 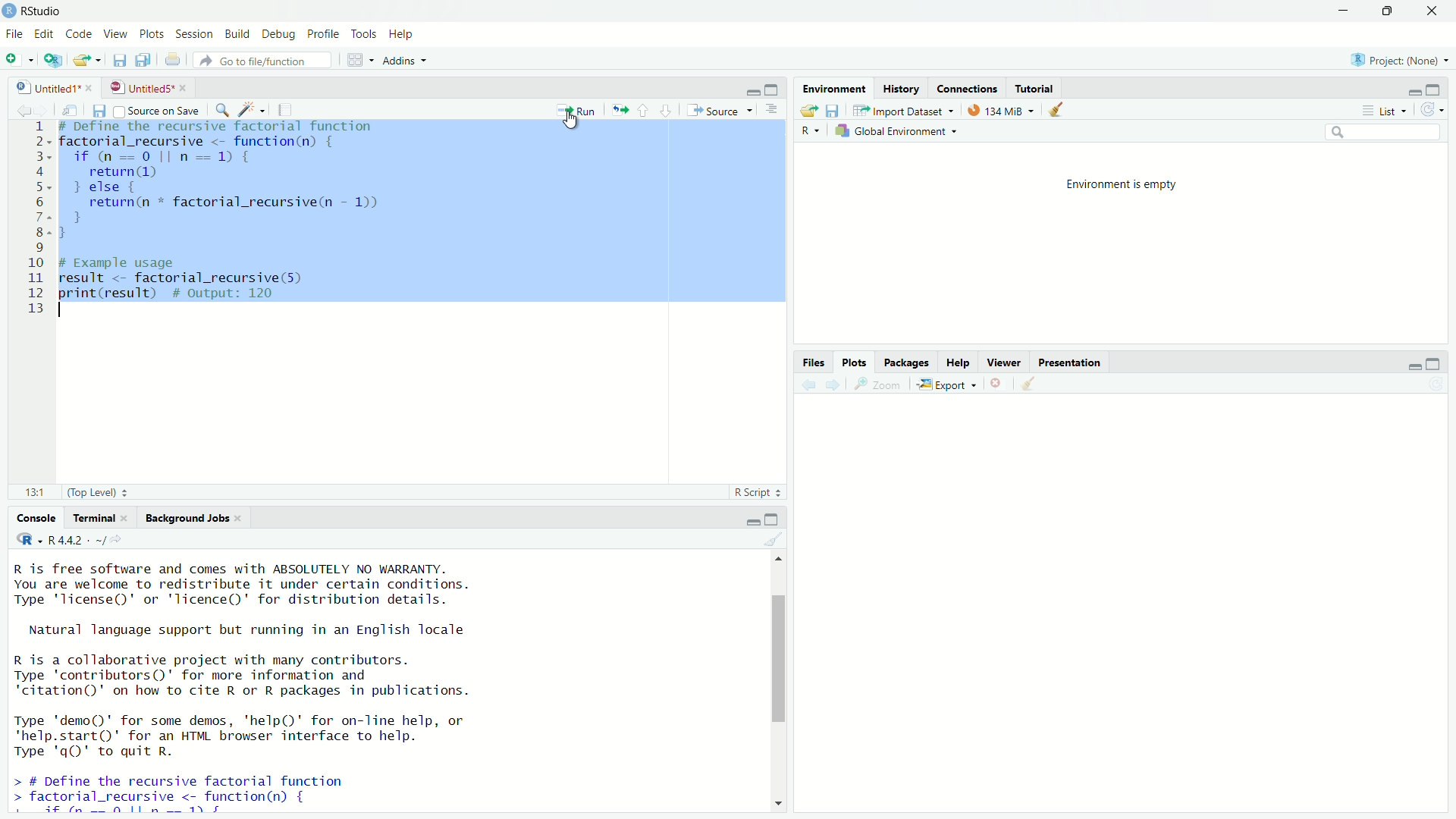 I want to click on Text cursor, so click(x=570, y=125).